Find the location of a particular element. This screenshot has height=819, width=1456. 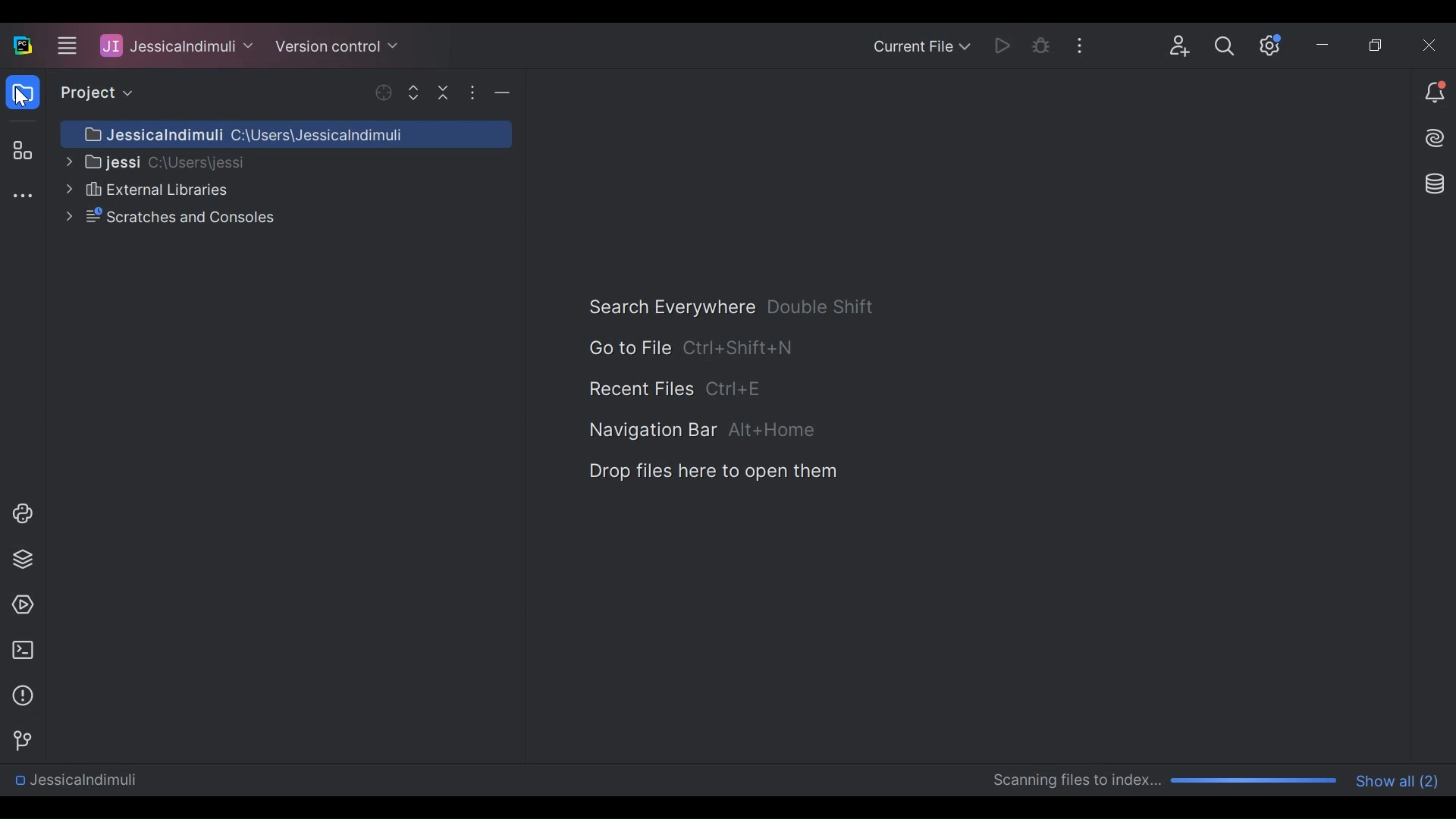

Problems is located at coordinates (20, 696).